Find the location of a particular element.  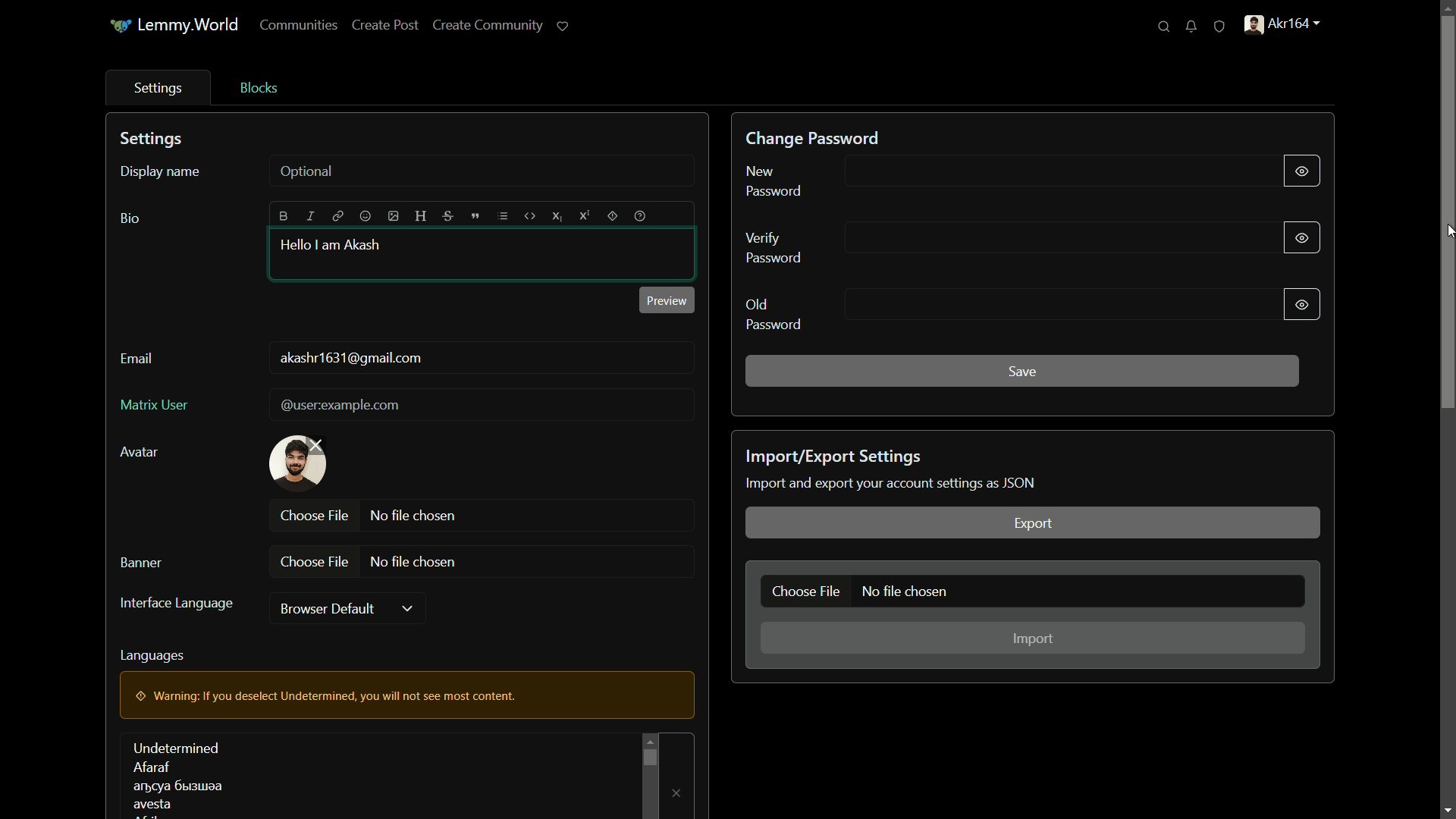

display name is located at coordinates (161, 173).